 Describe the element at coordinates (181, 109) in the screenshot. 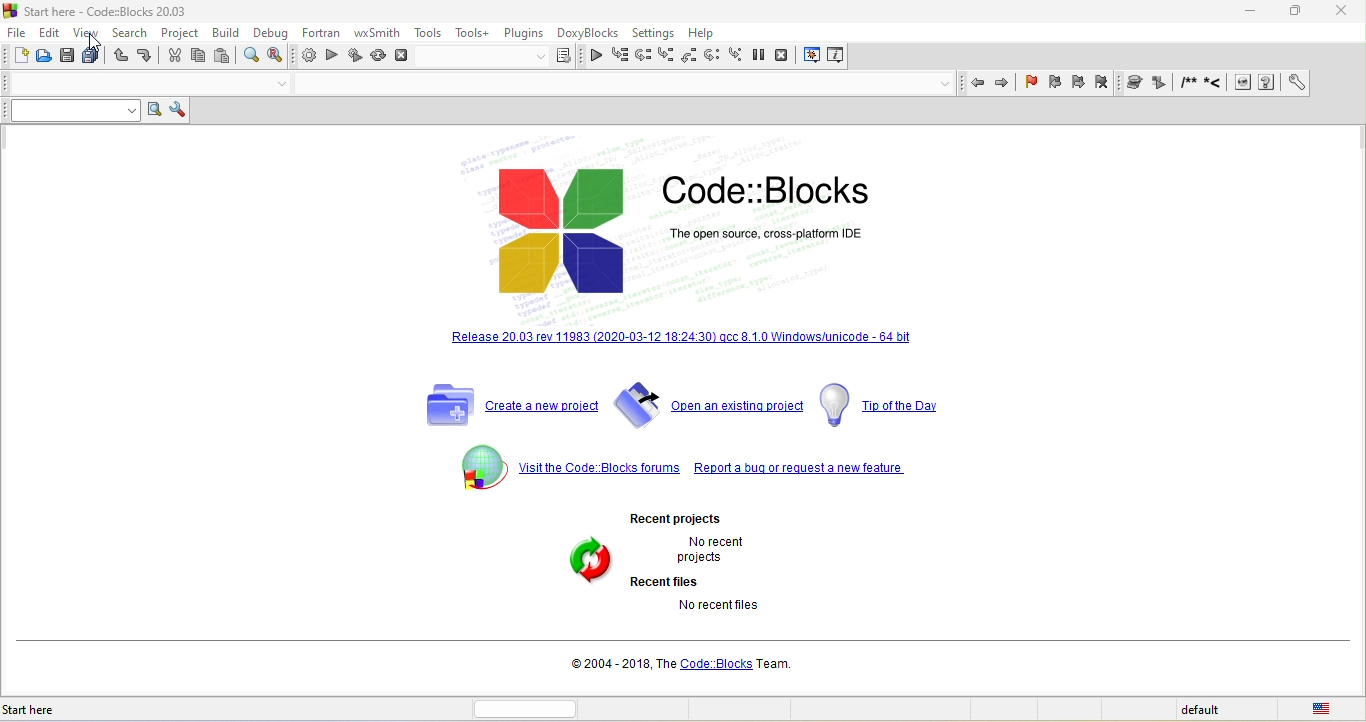

I see `show option window` at that location.